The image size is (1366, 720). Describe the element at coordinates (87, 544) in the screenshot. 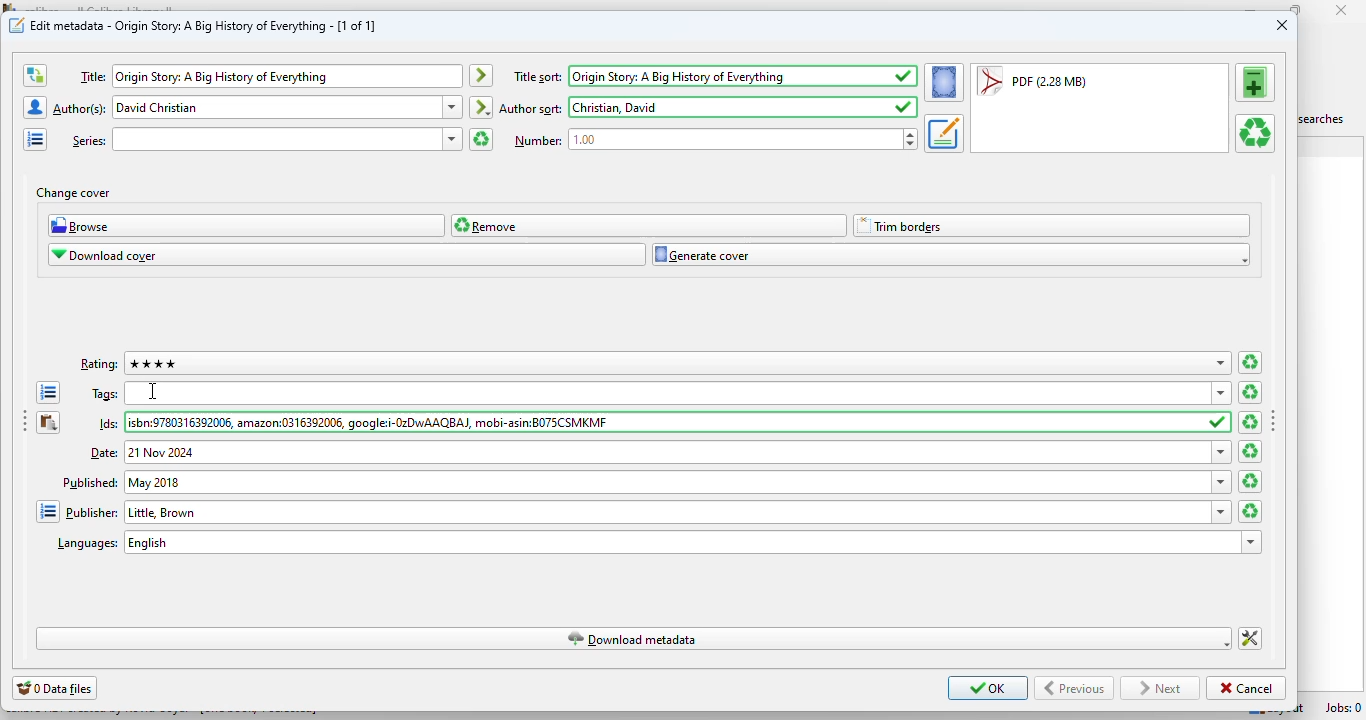

I see `text` at that location.